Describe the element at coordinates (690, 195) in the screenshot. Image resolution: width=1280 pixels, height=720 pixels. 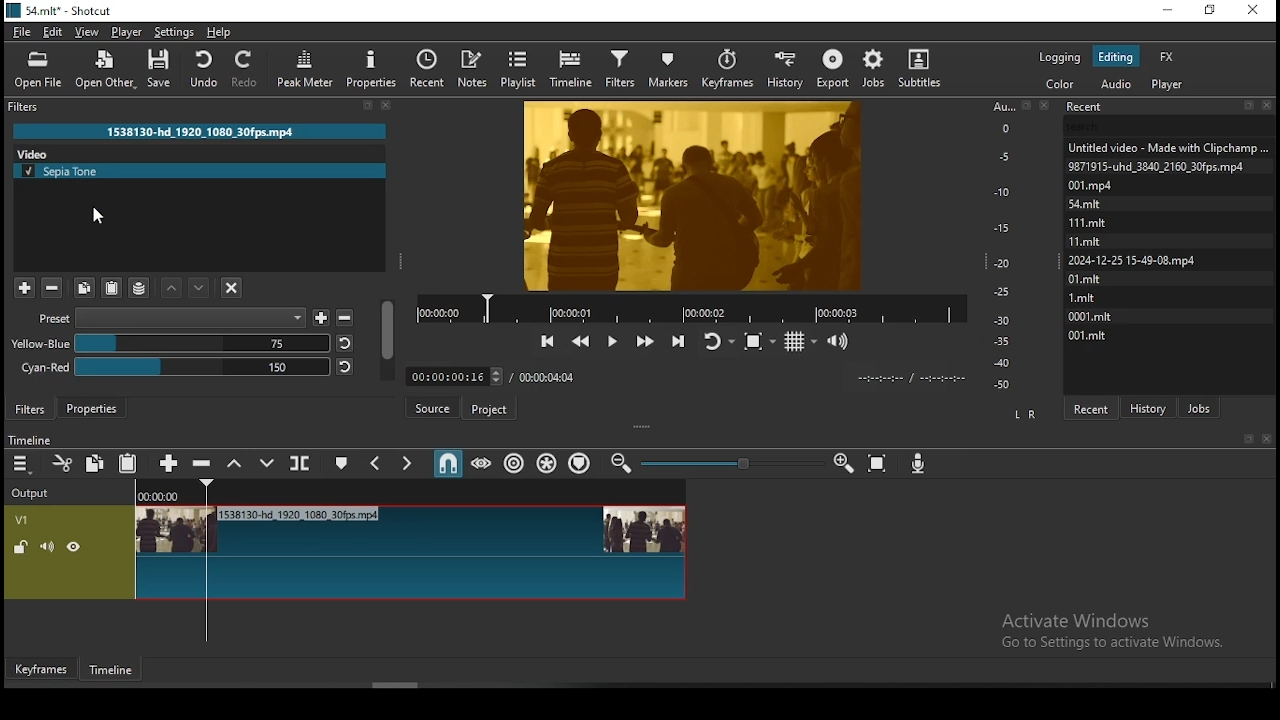
I see `video preview` at that location.